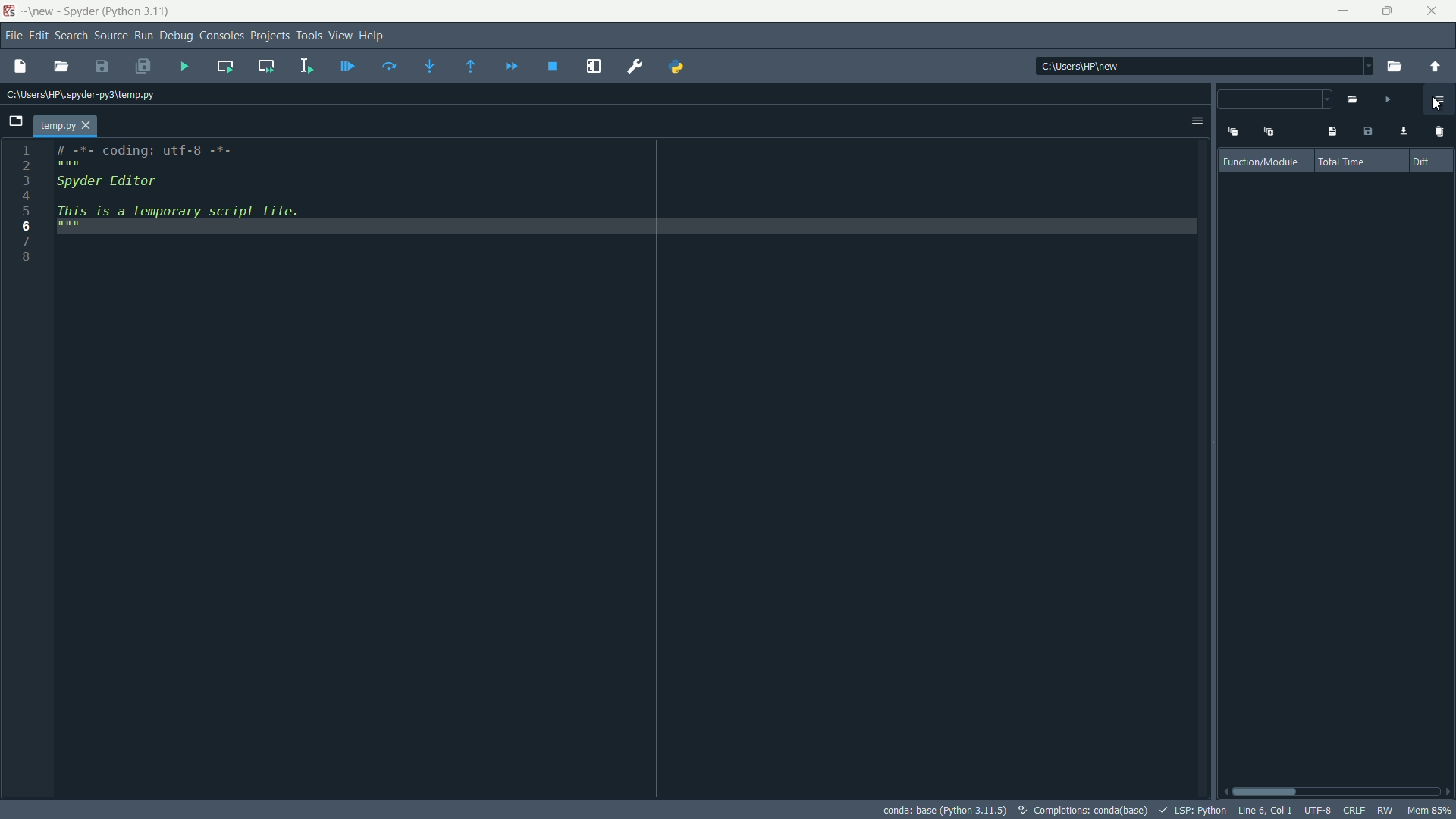 The width and height of the screenshot is (1456, 819). What do you see at coordinates (1355, 811) in the screenshot?
I see `file eol status` at bounding box center [1355, 811].